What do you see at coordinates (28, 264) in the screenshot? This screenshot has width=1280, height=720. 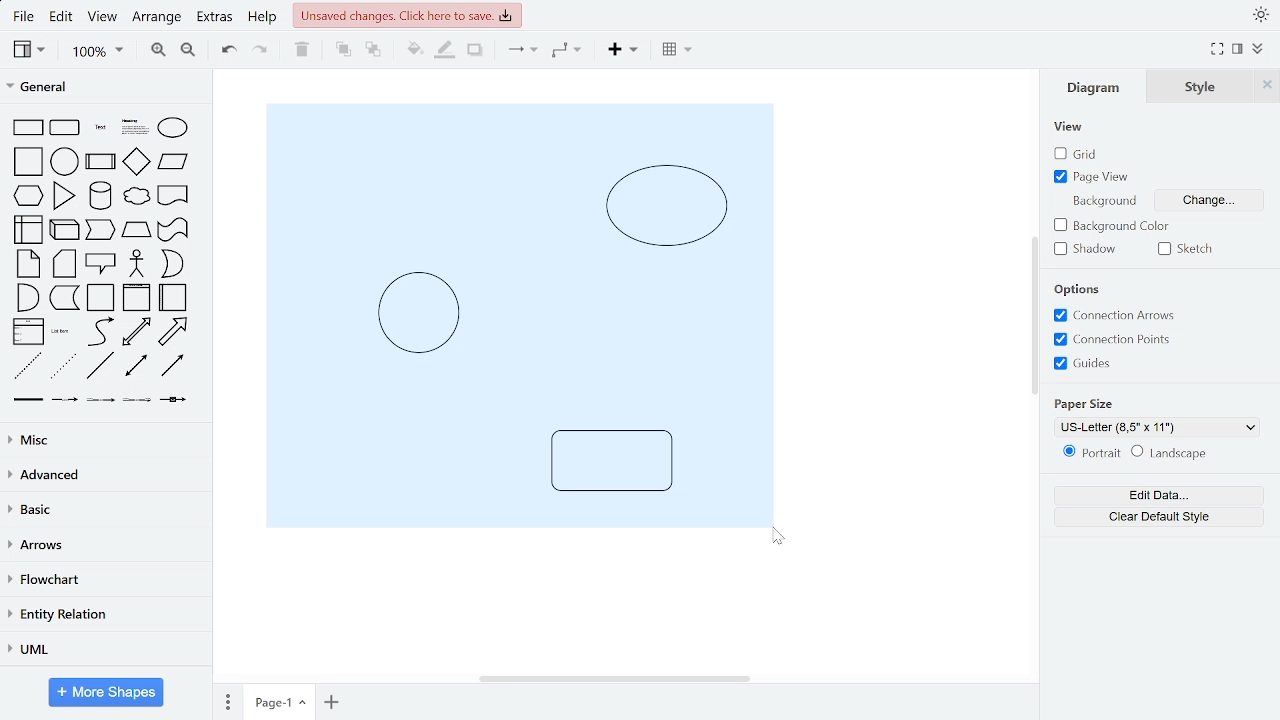 I see `note` at bounding box center [28, 264].